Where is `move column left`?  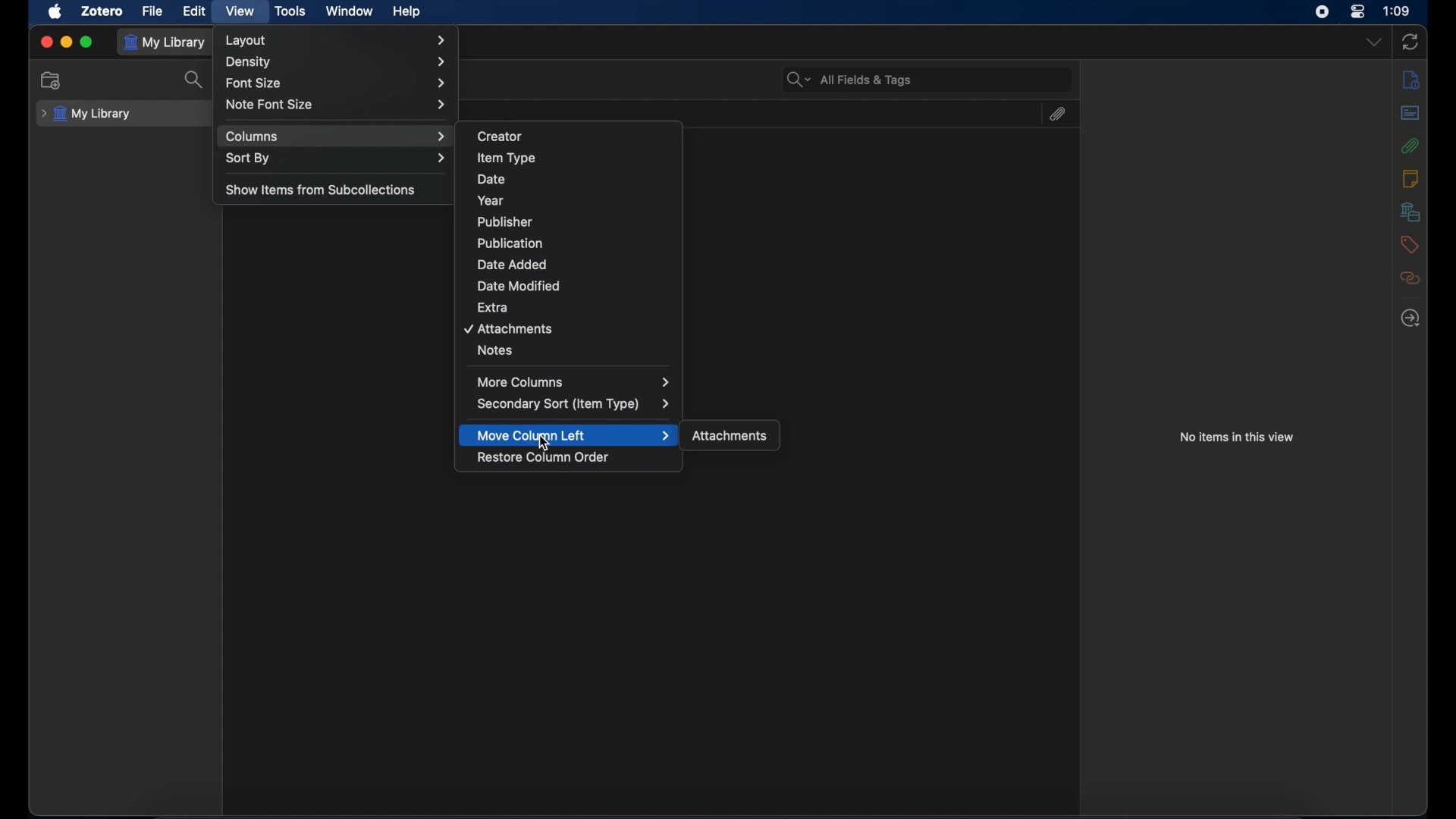
move column left is located at coordinates (573, 436).